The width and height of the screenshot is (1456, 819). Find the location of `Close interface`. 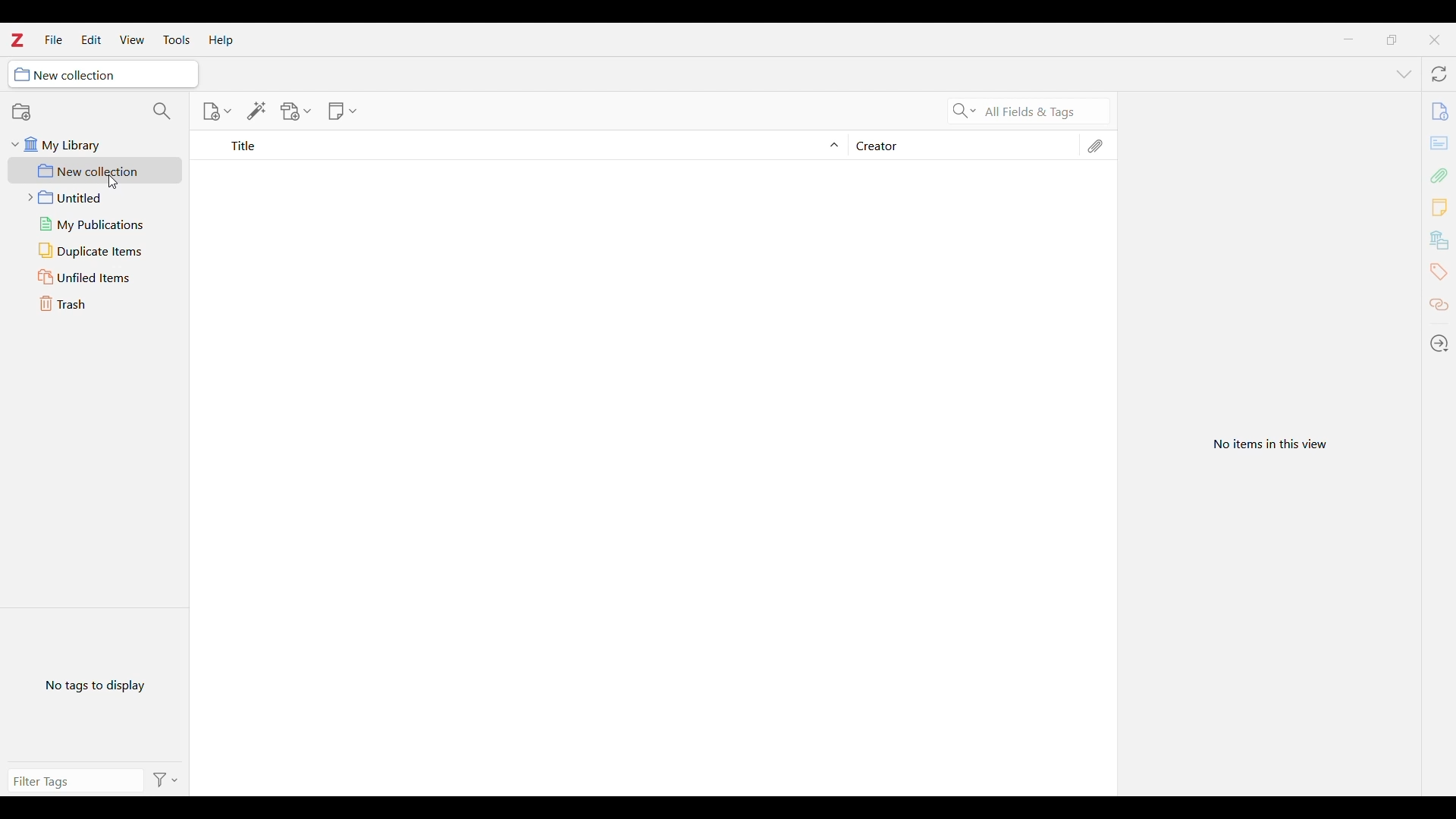

Close interface is located at coordinates (1434, 40).